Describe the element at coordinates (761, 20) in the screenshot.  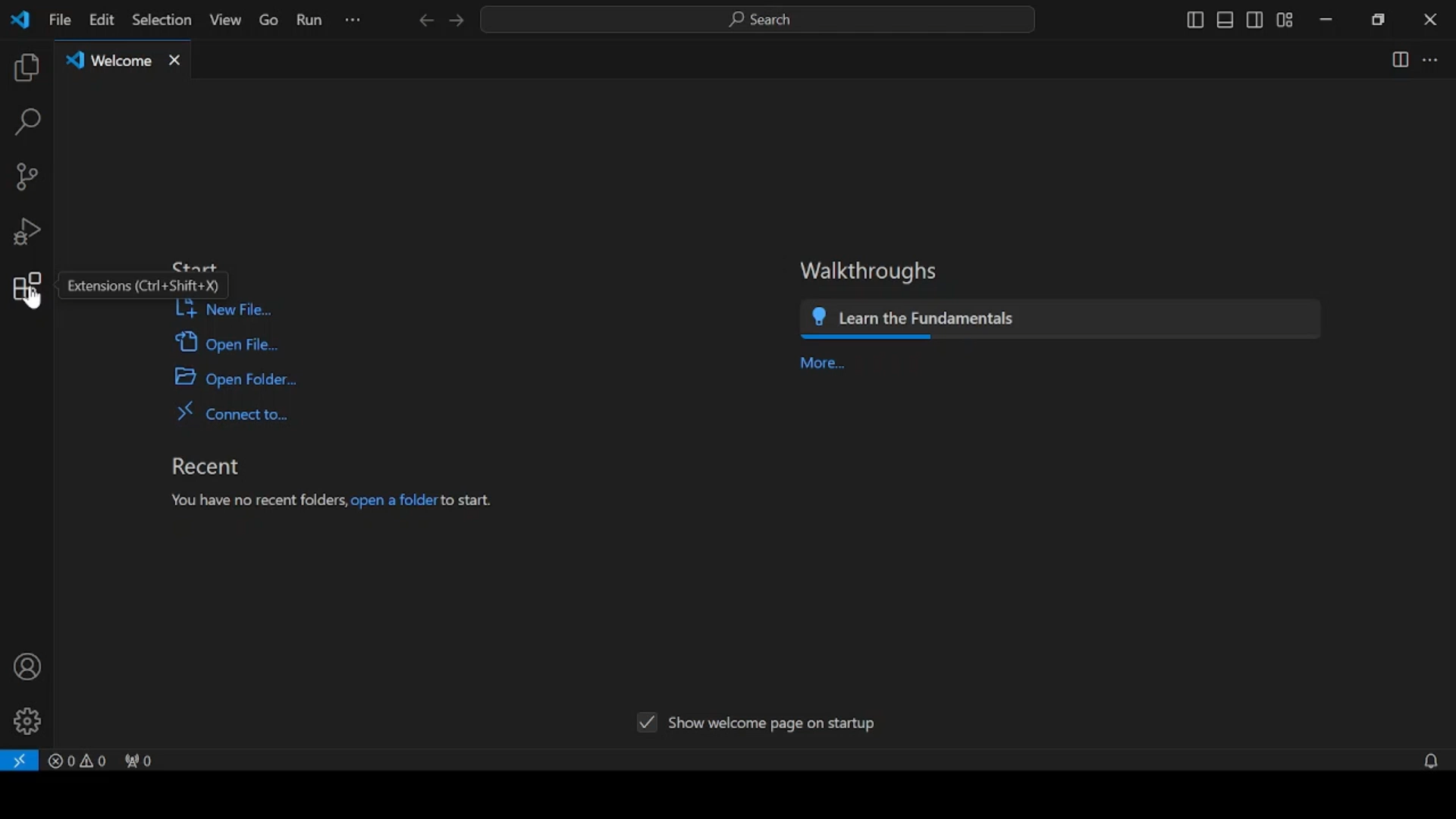
I see `search` at that location.